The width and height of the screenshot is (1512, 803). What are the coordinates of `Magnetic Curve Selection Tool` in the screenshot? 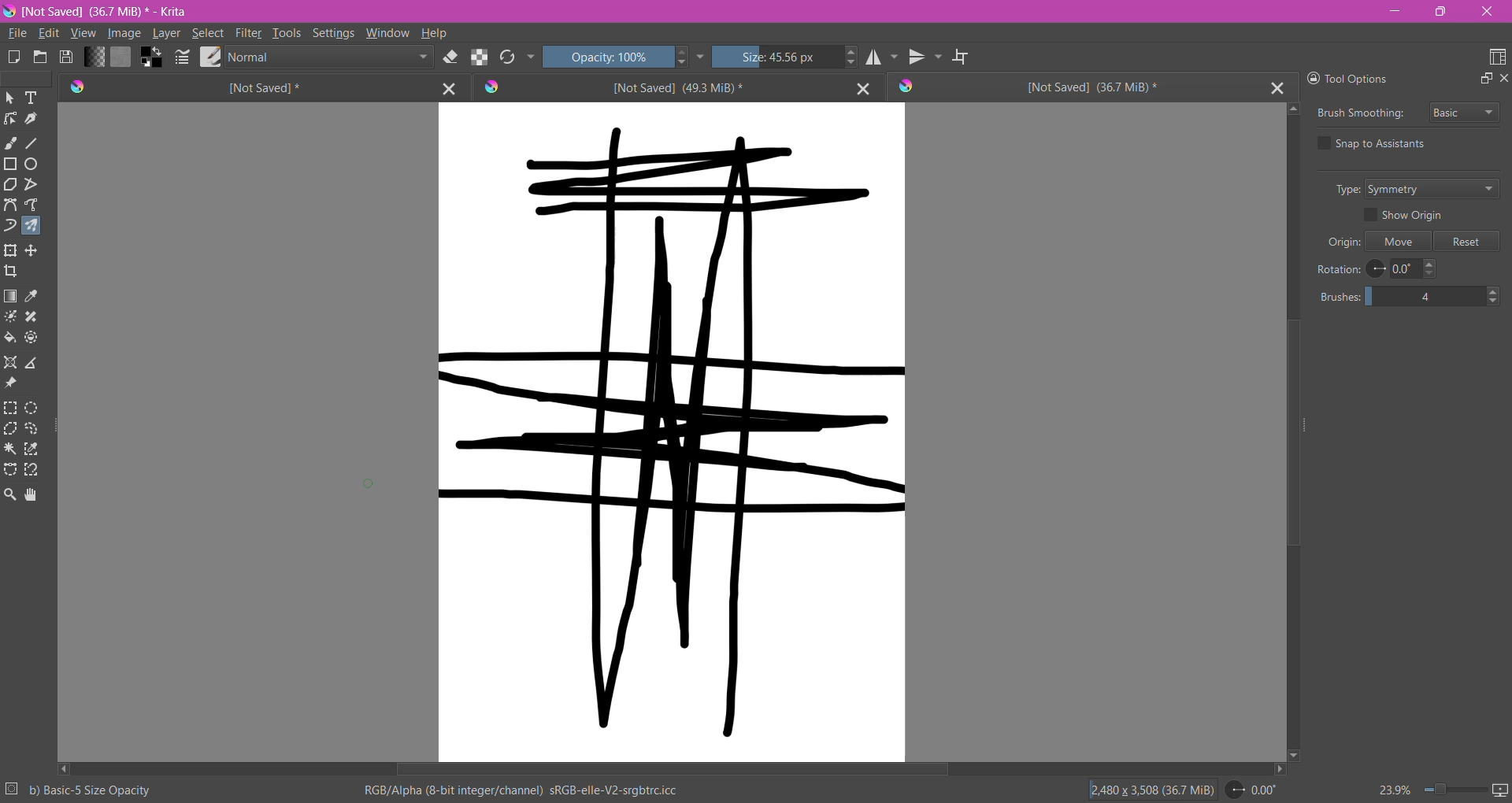 It's located at (31, 470).